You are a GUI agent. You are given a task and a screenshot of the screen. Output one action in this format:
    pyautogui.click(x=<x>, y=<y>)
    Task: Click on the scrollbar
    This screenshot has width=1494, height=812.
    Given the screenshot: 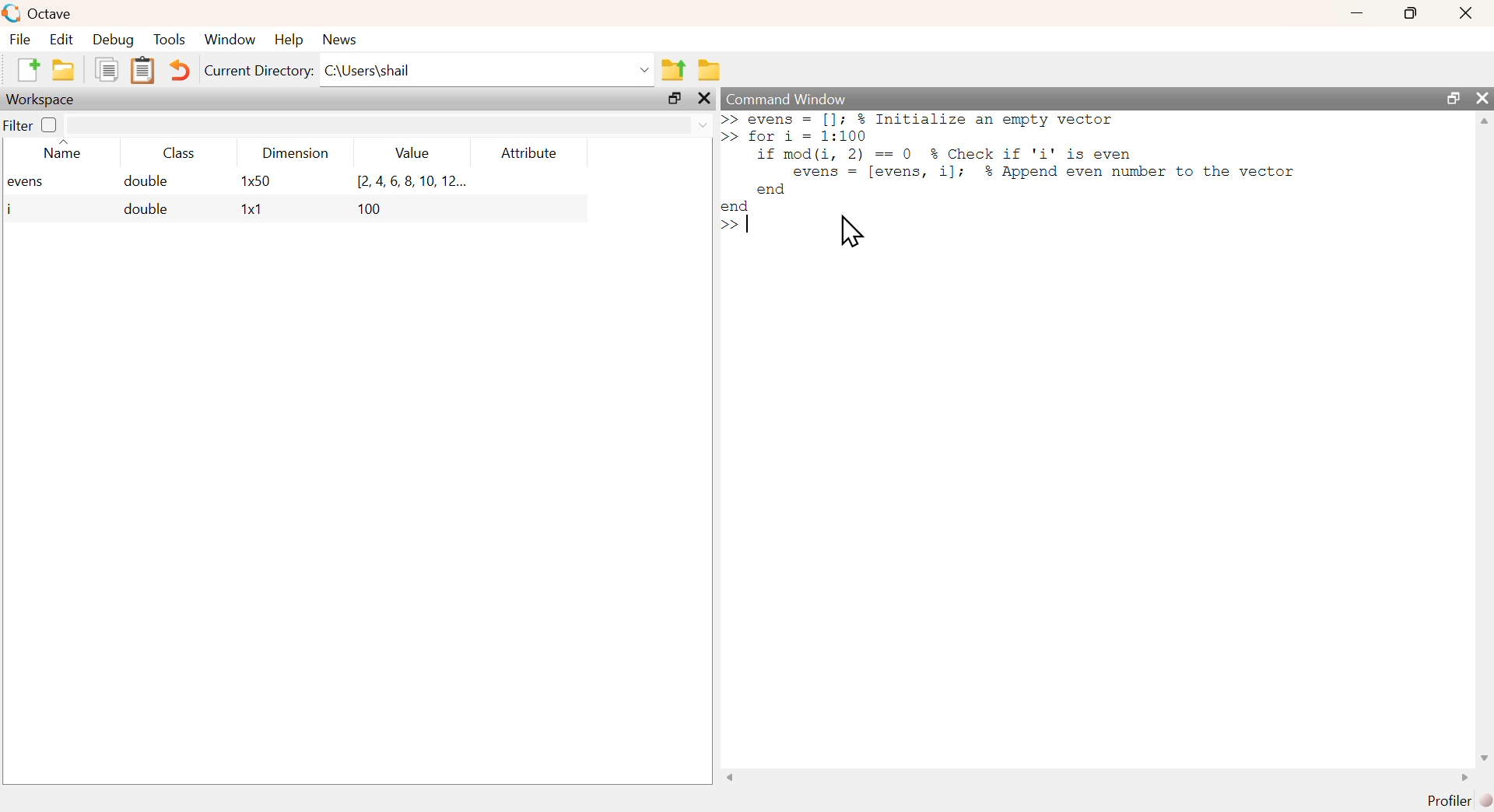 What is the action you would take?
    pyautogui.click(x=1098, y=777)
    